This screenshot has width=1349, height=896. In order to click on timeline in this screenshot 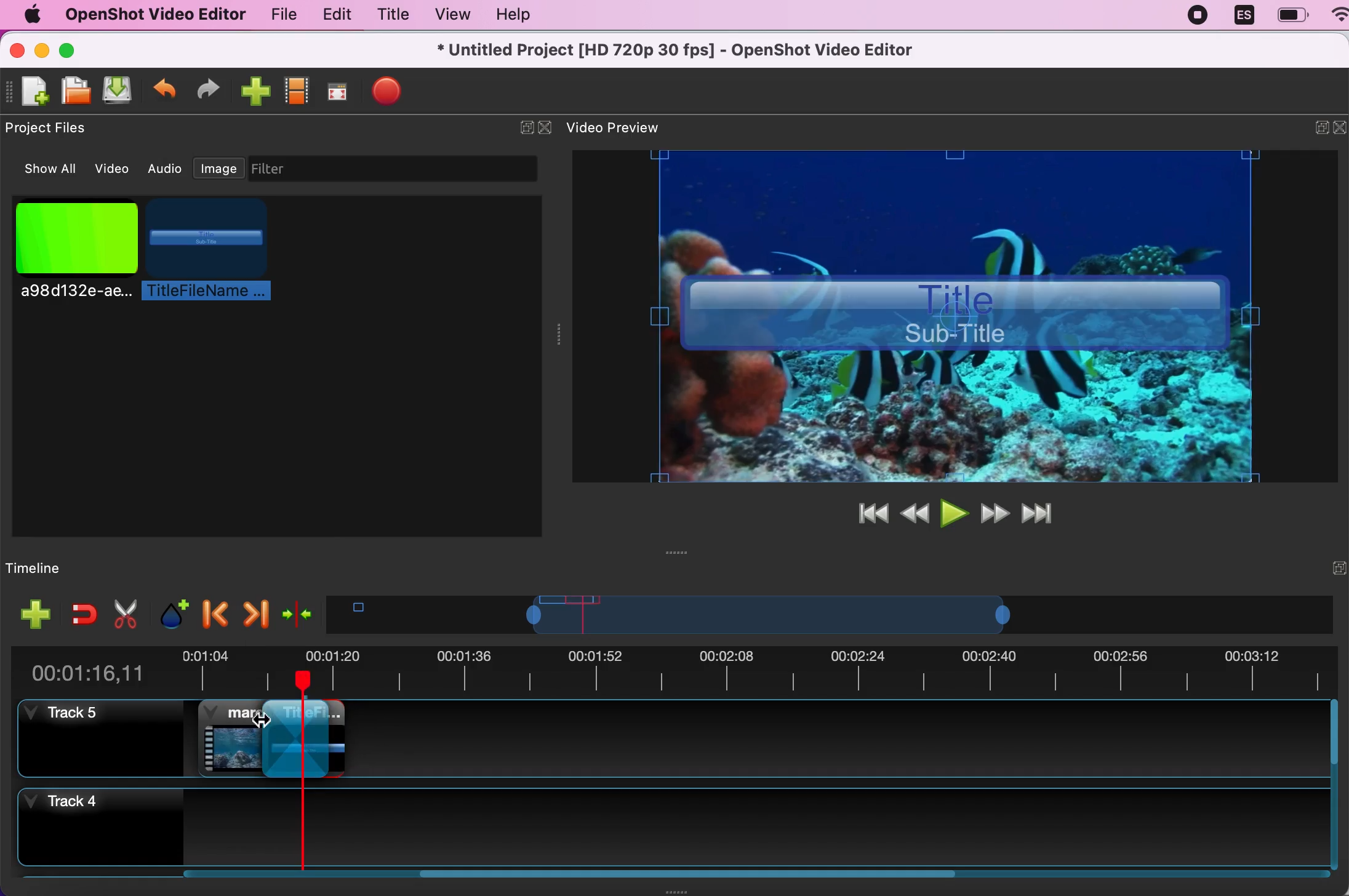, I will do `click(815, 614)`.